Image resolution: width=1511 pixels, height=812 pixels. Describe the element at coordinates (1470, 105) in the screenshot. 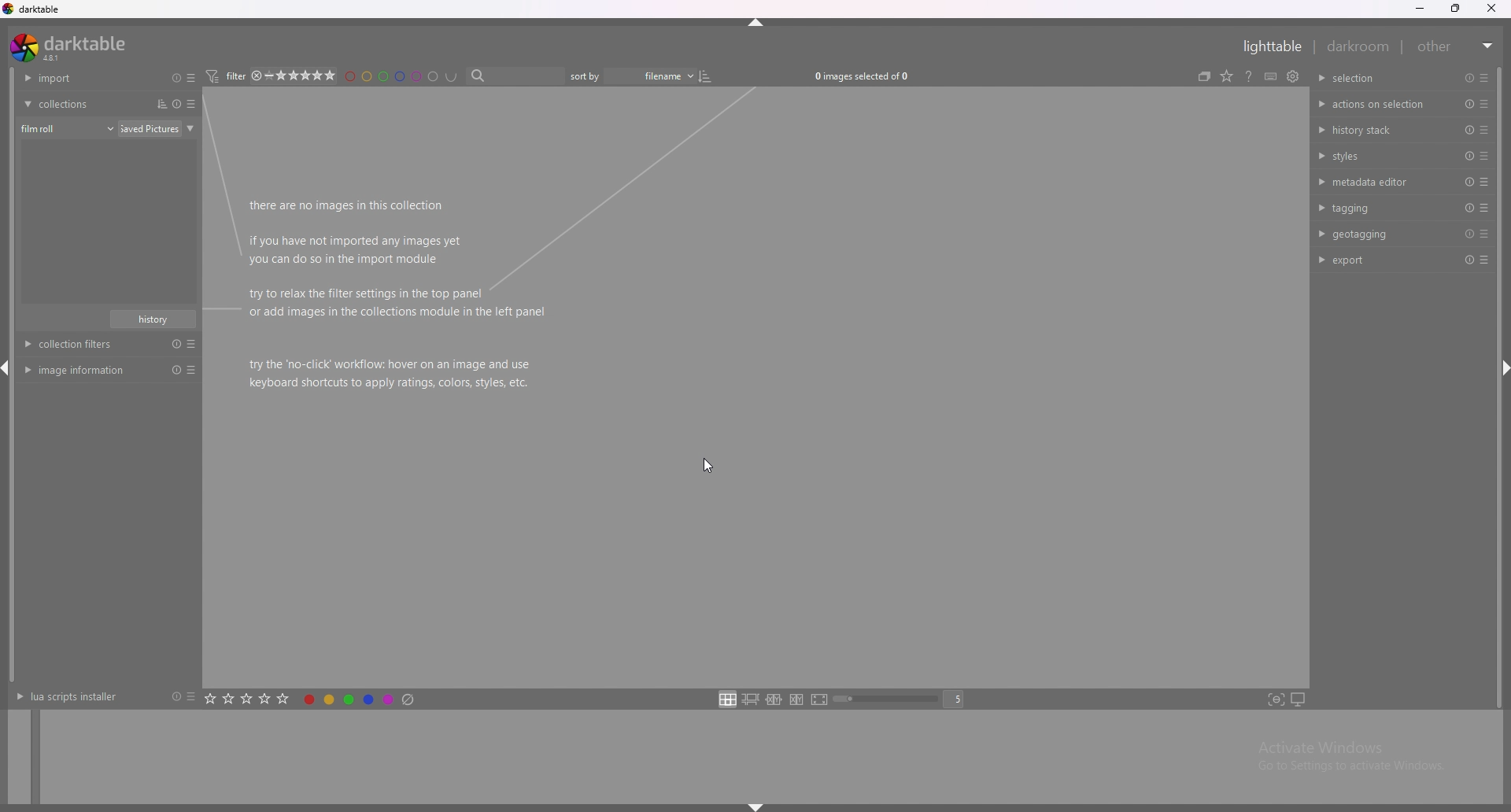

I see `reset` at that location.